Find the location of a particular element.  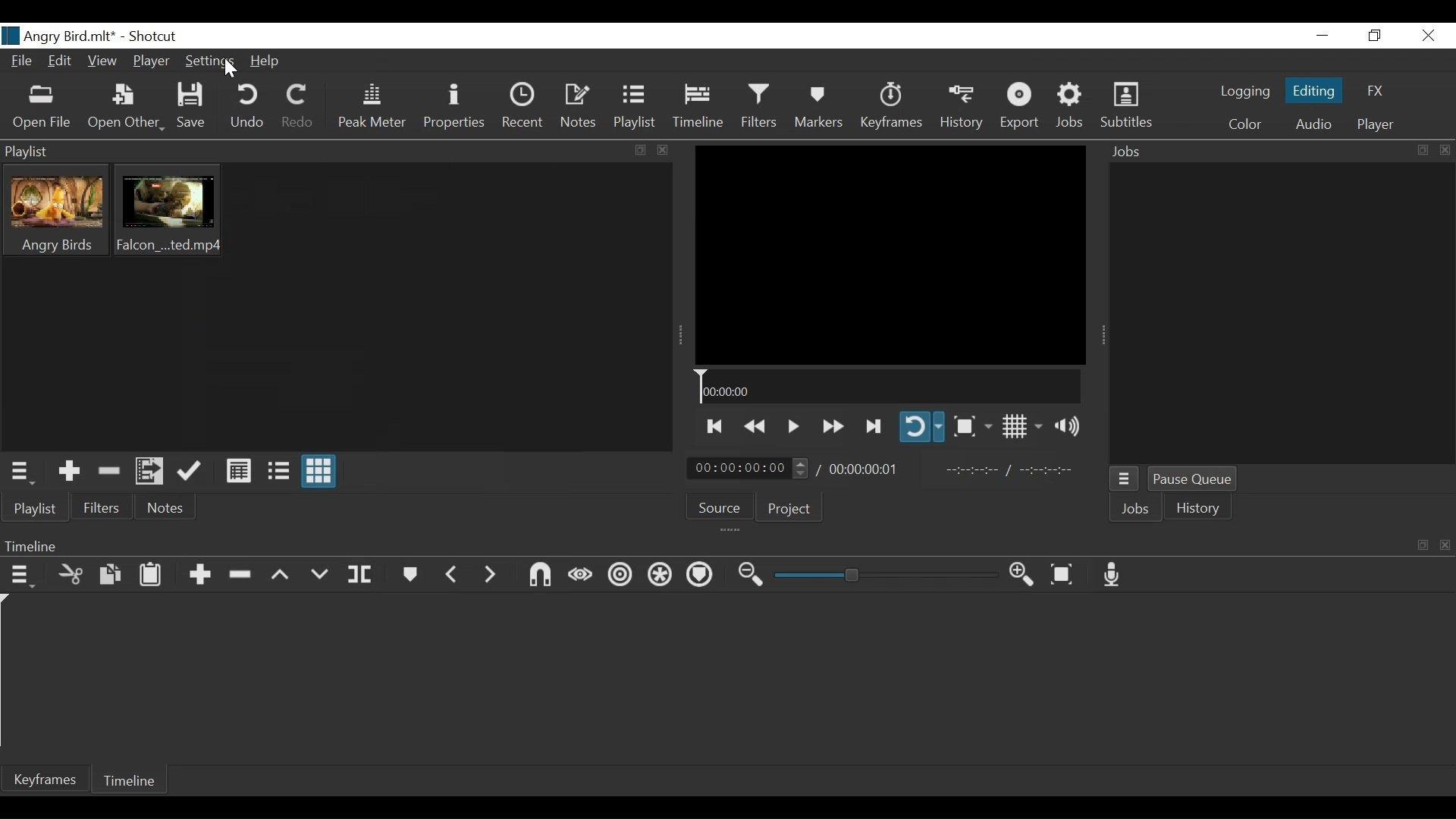

Edit is located at coordinates (60, 61).